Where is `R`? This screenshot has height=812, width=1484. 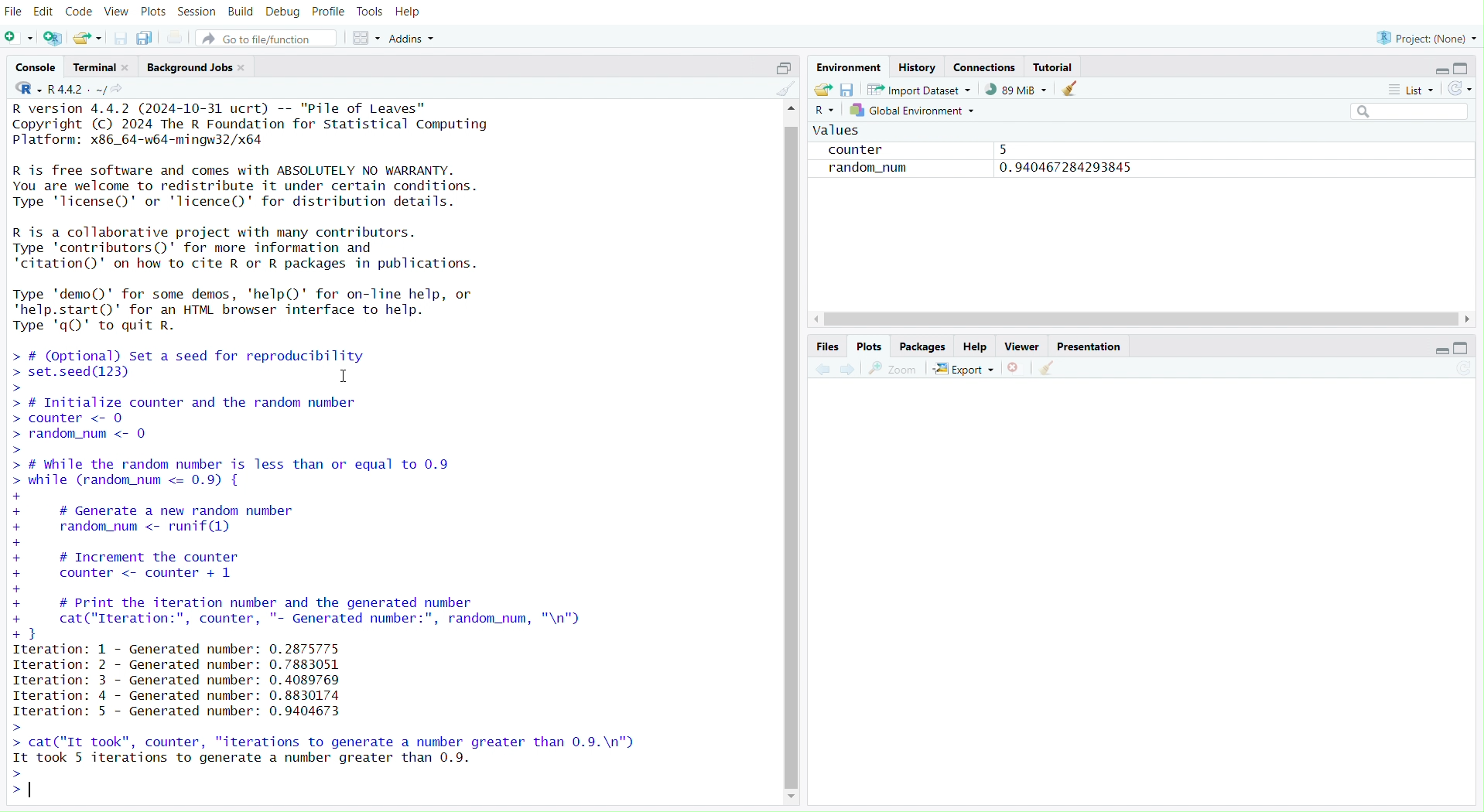 R is located at coordinates (22, 90).